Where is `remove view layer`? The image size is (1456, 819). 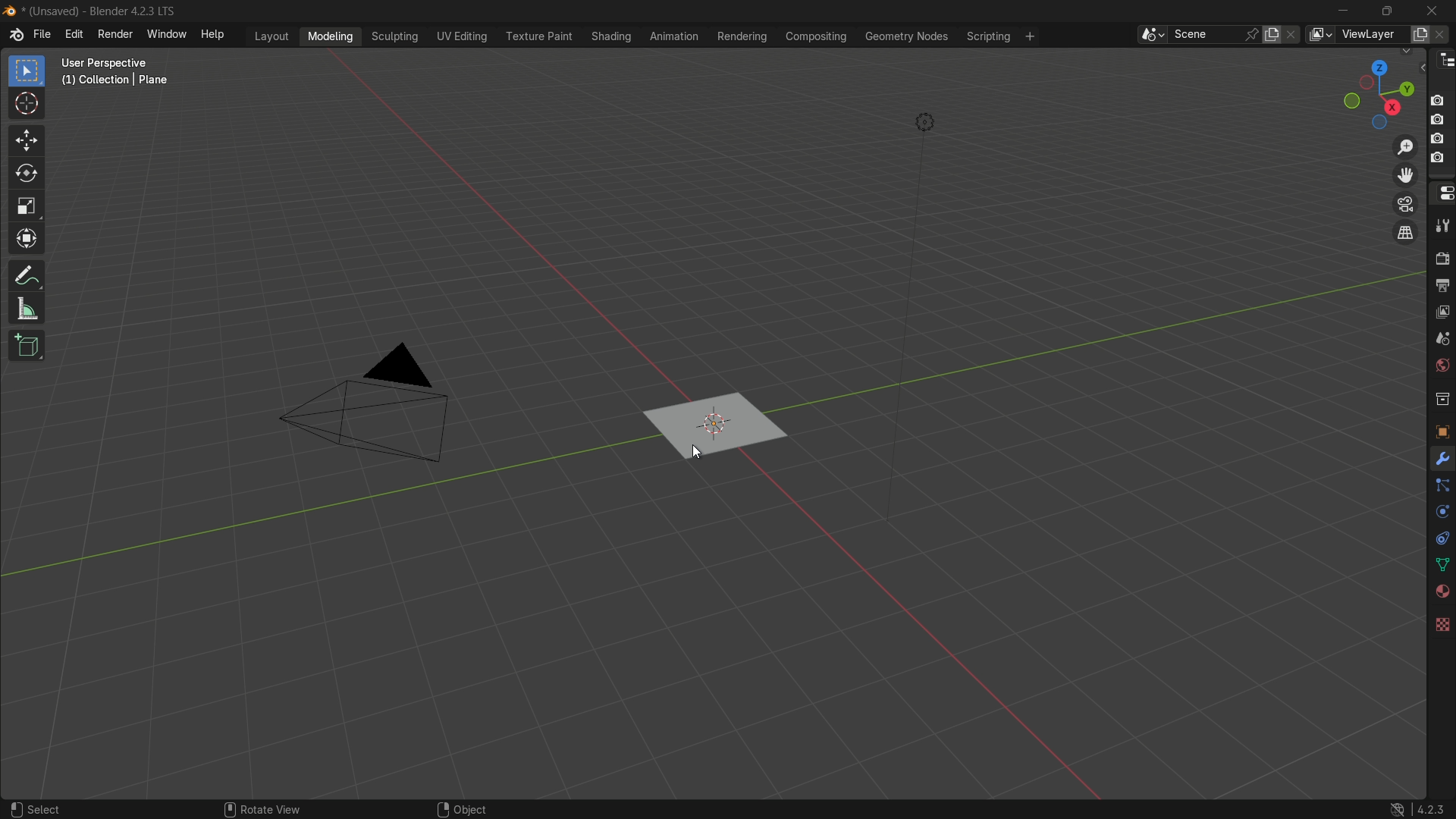
remove view layer is located at coordinates (1442, 36).